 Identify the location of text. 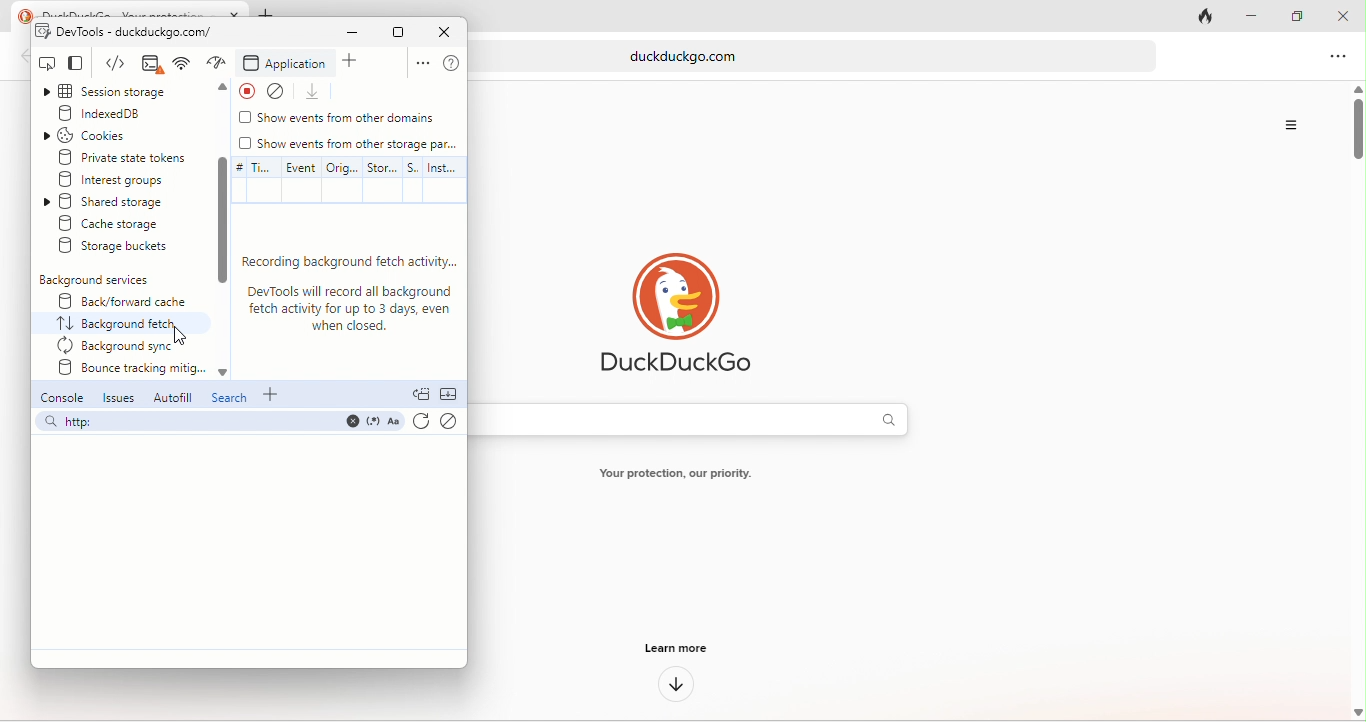
(686, 475).